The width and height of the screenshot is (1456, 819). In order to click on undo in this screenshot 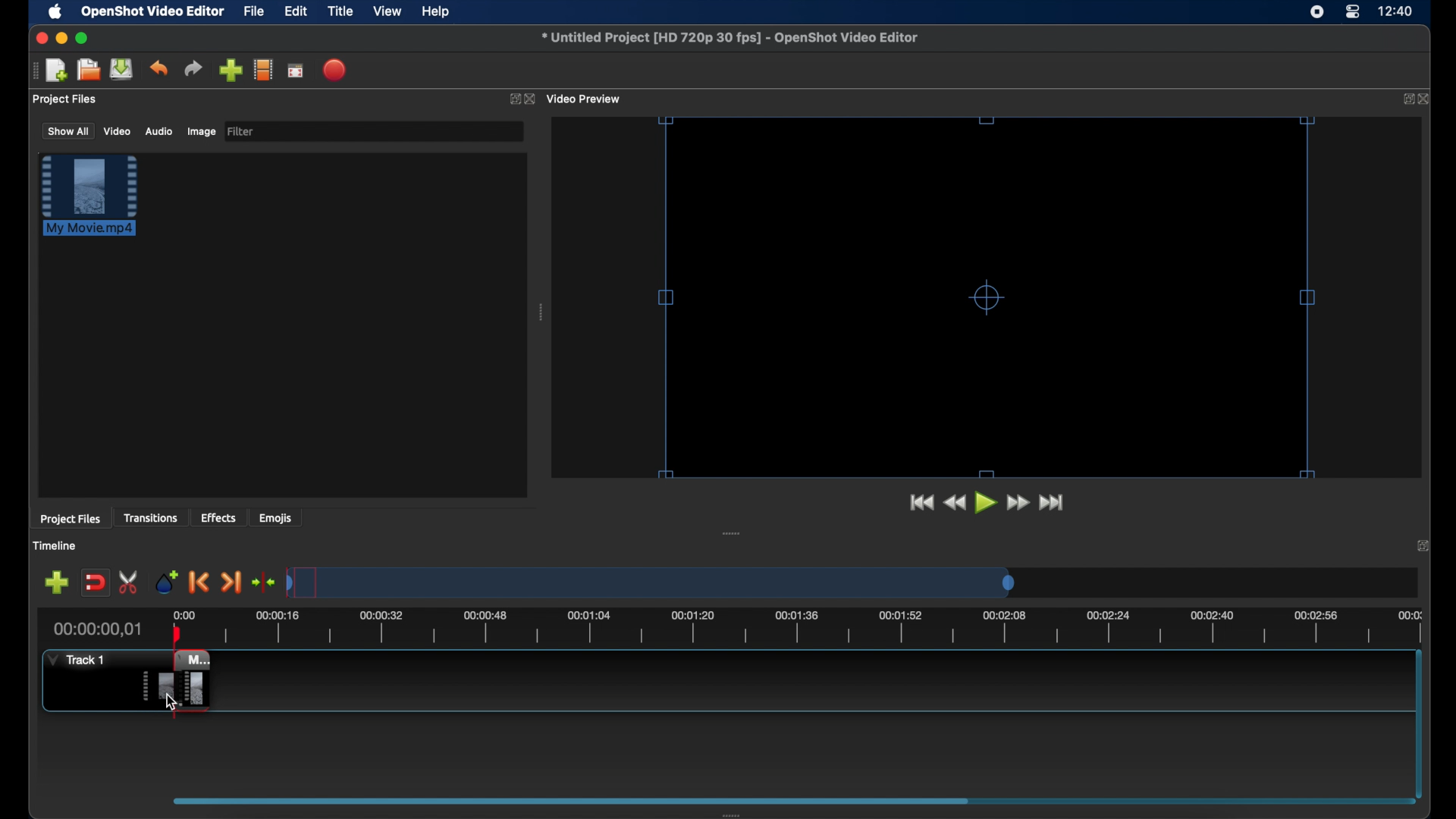, I will do `click(158, 67)`.